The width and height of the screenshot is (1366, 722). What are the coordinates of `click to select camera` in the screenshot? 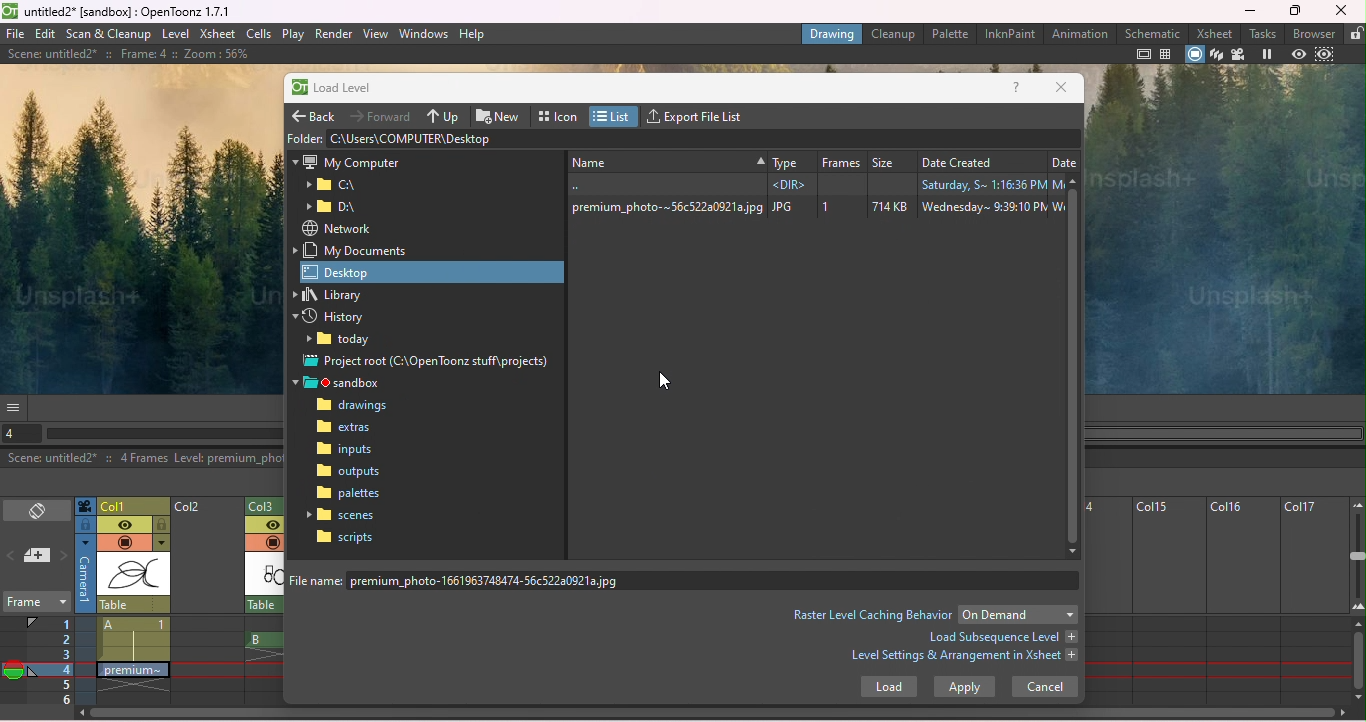 It's located at (85, 525).